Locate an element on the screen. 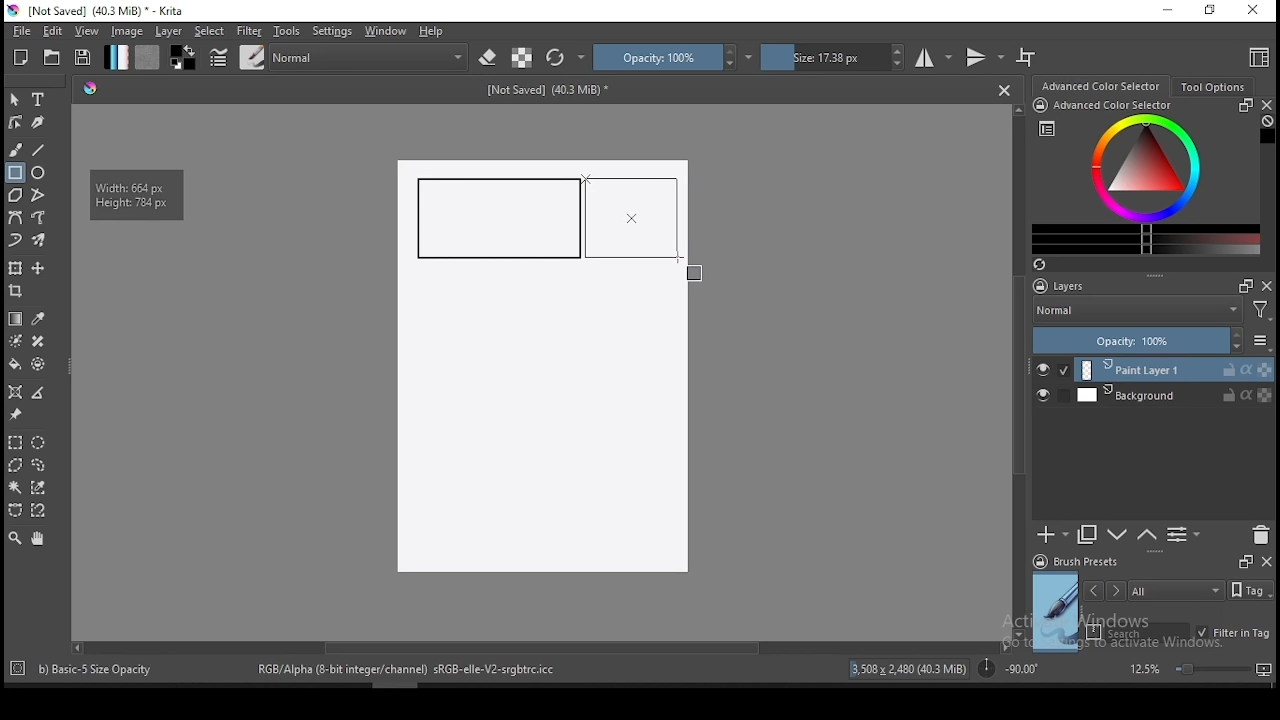  view or change layer properties is located at coordinates (1183, 534).